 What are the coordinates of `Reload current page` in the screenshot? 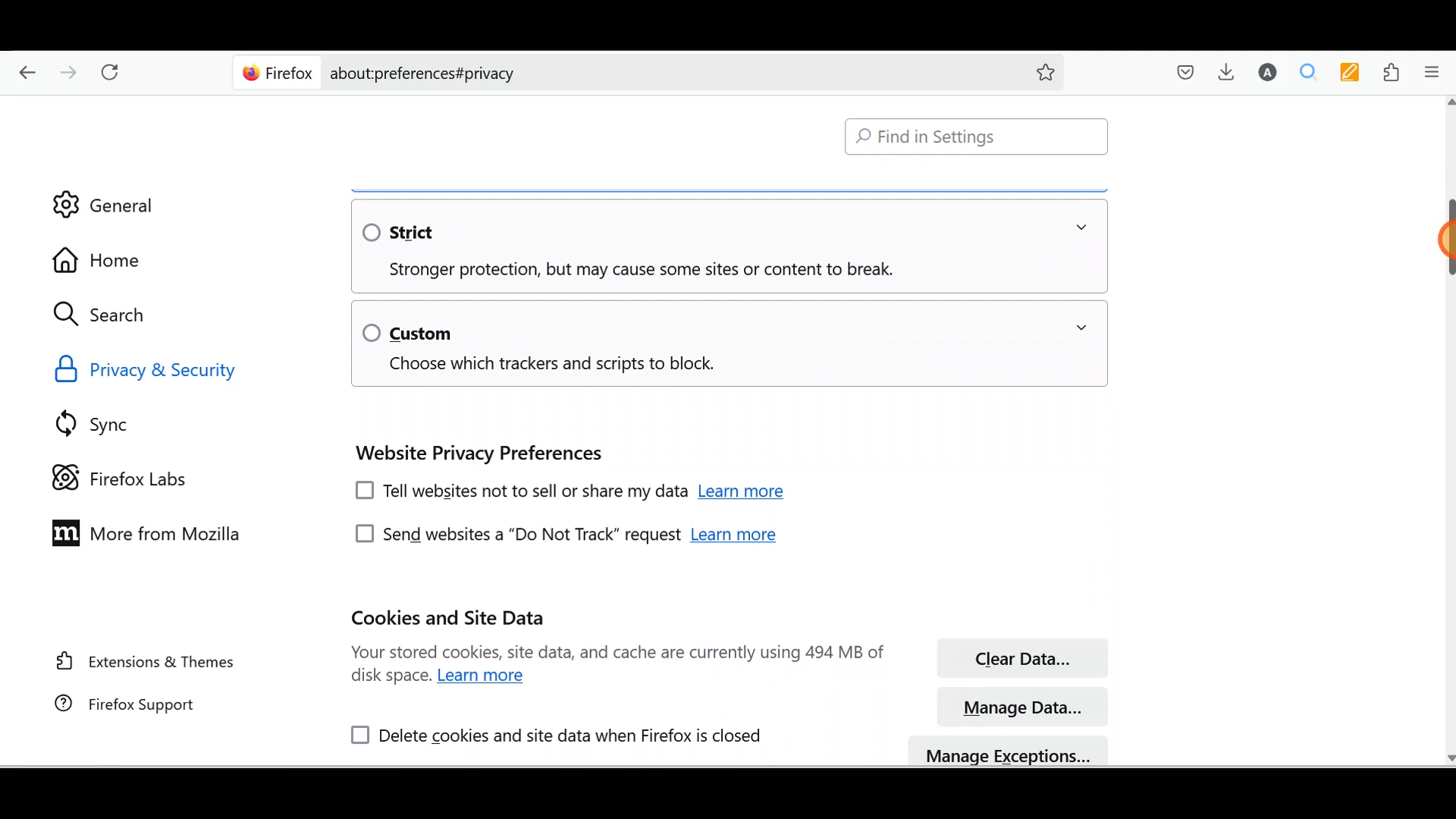 It's located at (111, 70).